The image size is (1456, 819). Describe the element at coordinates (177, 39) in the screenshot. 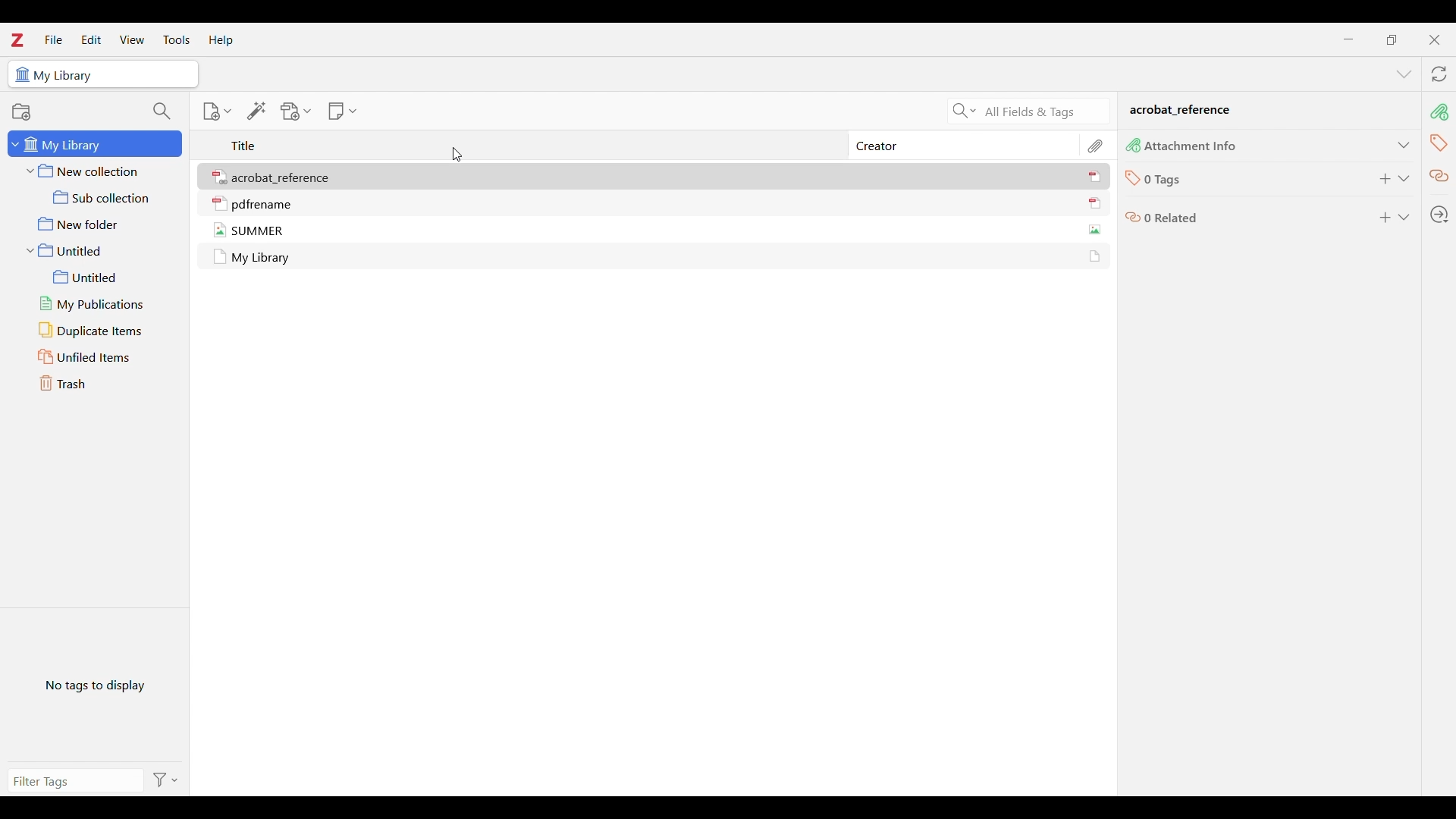

I see `Tools menu` at that location.